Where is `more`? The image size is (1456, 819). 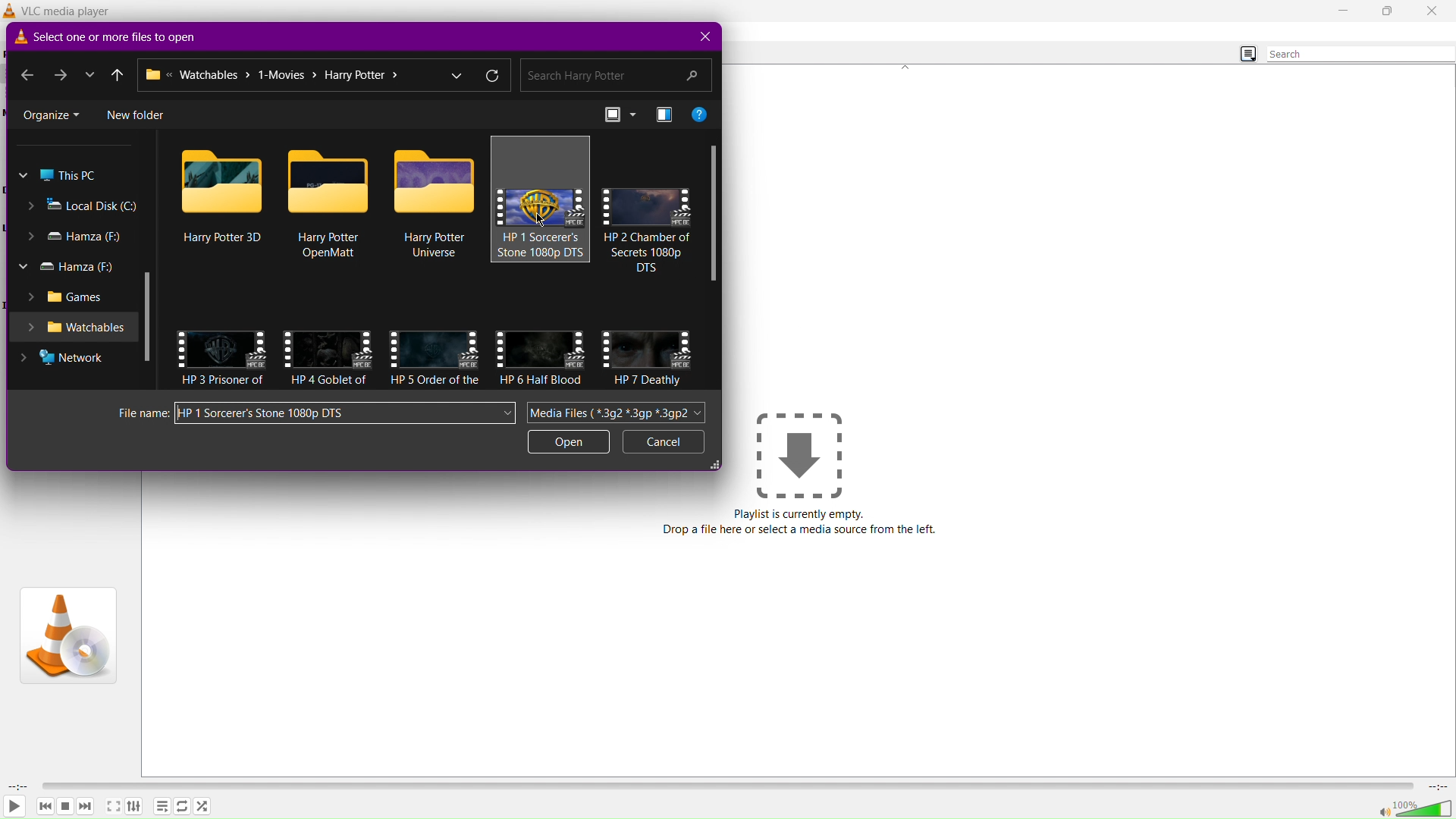 more is located at coordinates (91, 73).